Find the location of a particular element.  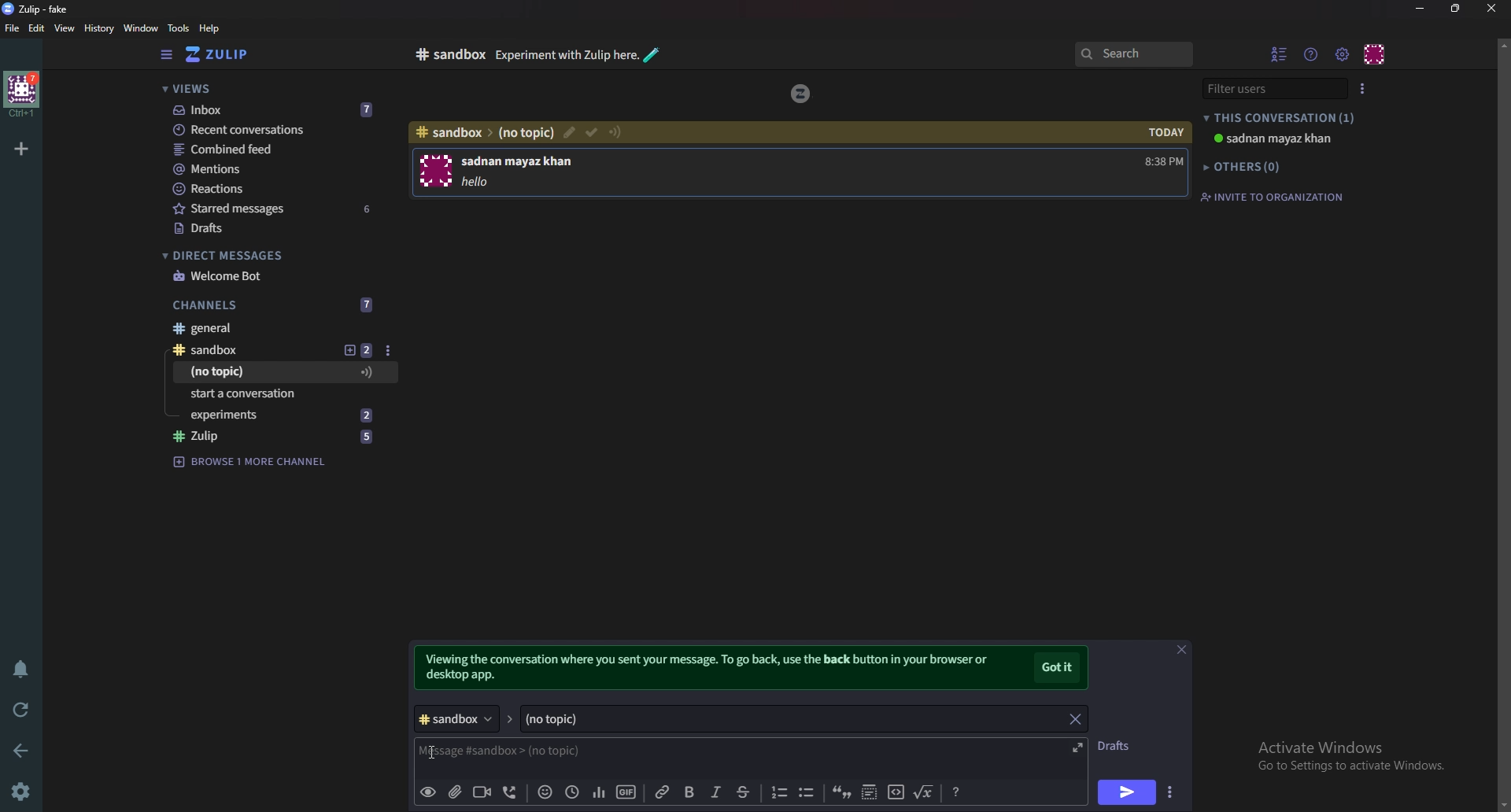

hello is located at coordinates (492, 180).